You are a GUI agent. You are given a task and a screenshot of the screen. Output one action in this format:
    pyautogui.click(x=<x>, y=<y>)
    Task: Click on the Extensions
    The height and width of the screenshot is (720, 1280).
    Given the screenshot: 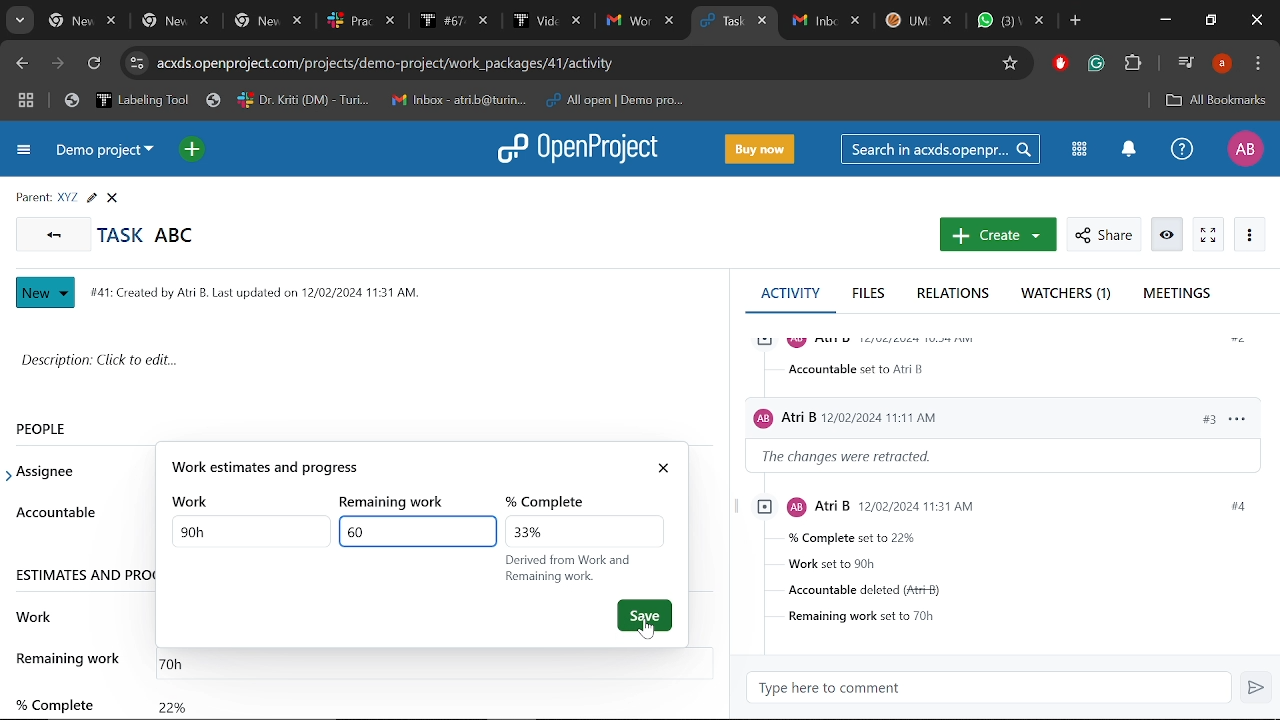 What is the action you would take?
    pyautogui.click(x=1135, y=64)
    